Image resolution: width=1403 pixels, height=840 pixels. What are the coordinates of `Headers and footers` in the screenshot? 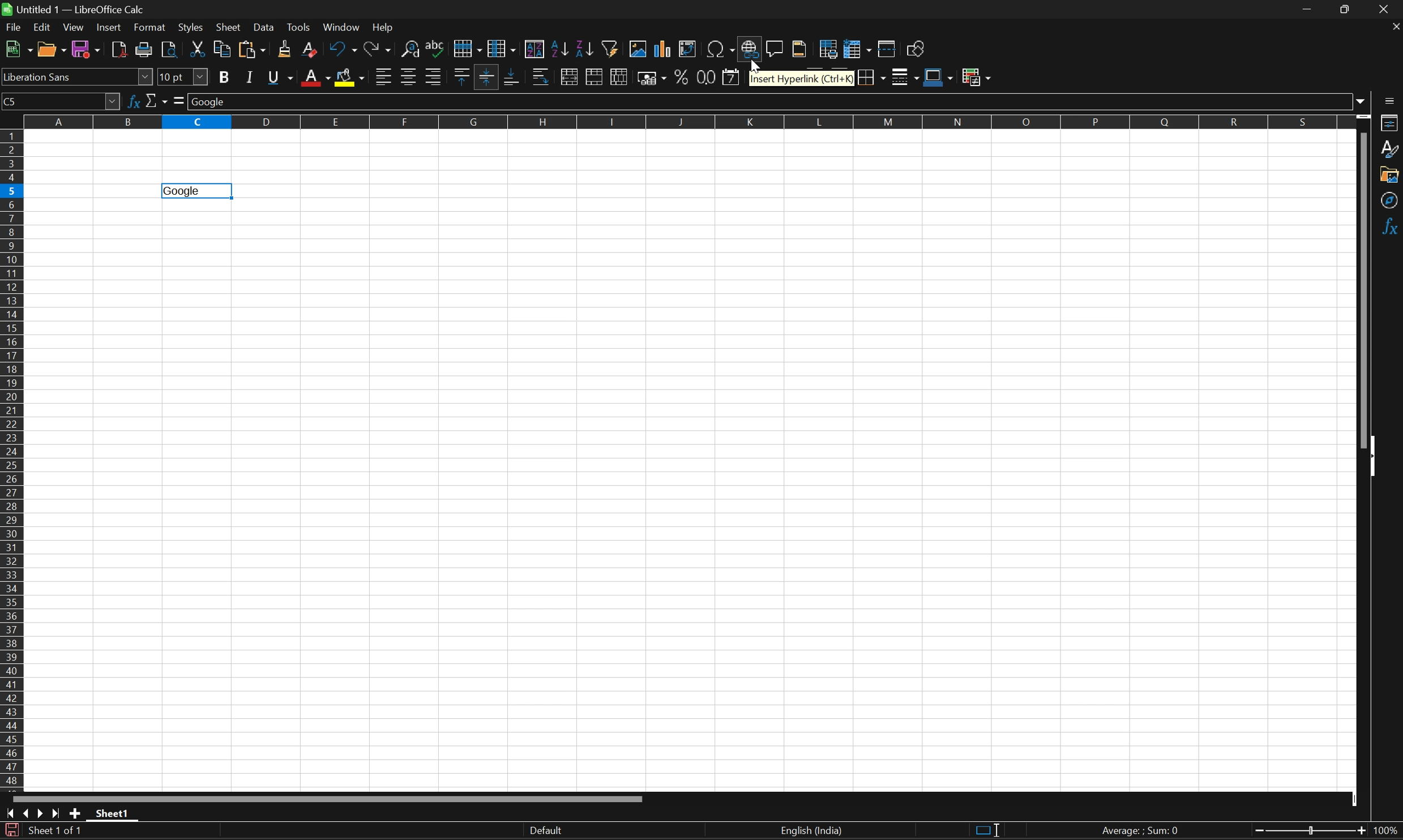 It's located at (800, 48).